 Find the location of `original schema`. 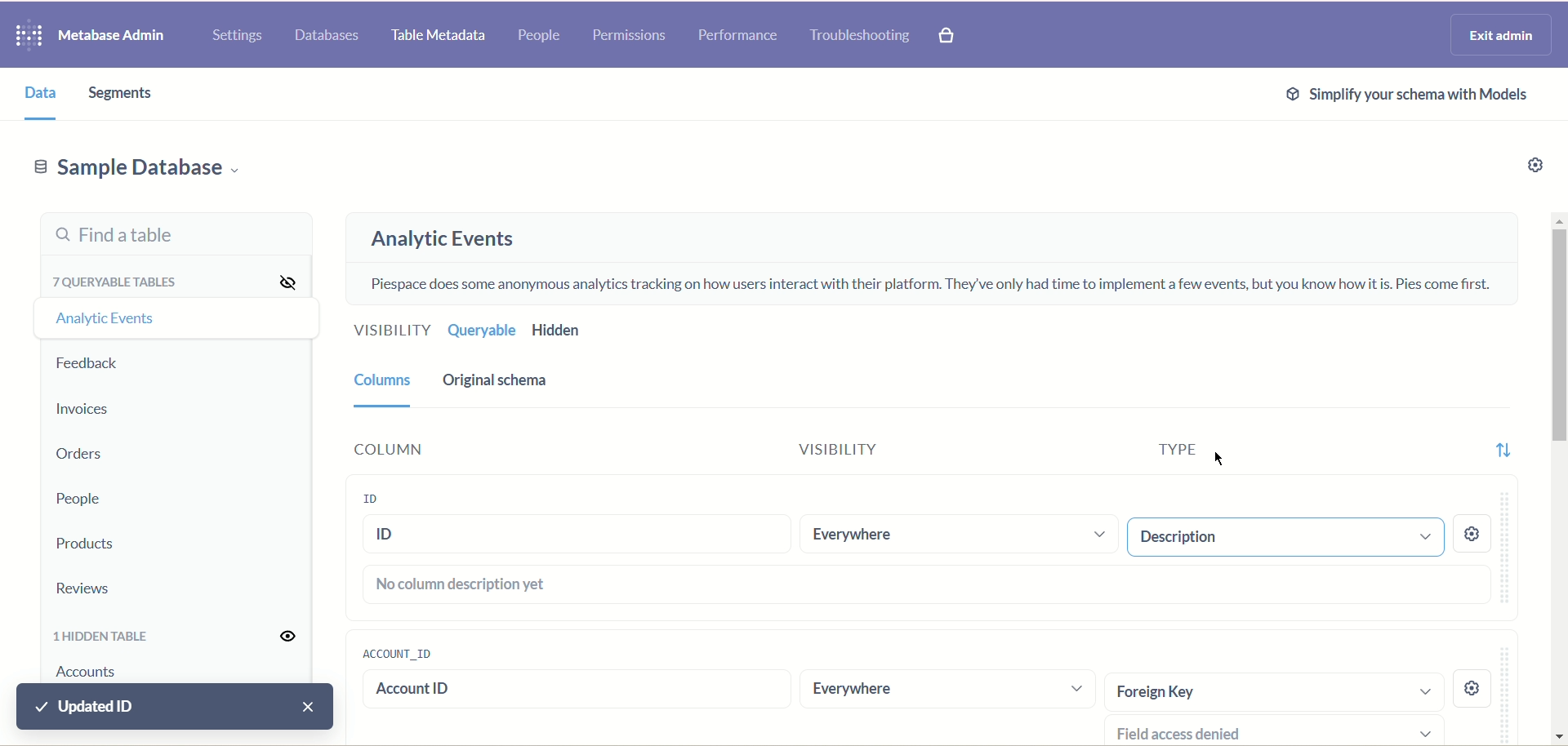

original schema is located at coordinates (496, 383).